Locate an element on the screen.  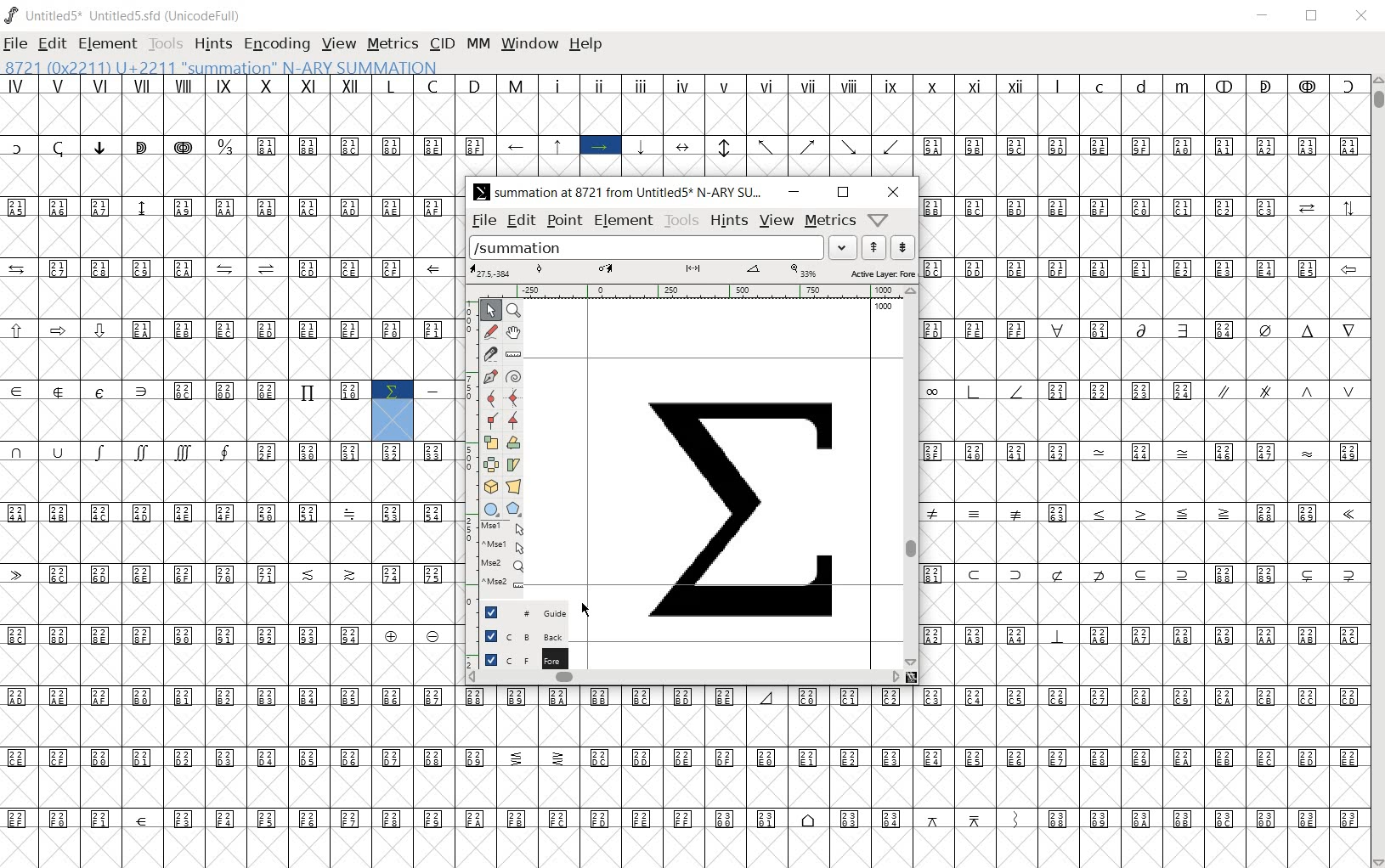
rectangle or ellipse is located at coordinates (490, 509).